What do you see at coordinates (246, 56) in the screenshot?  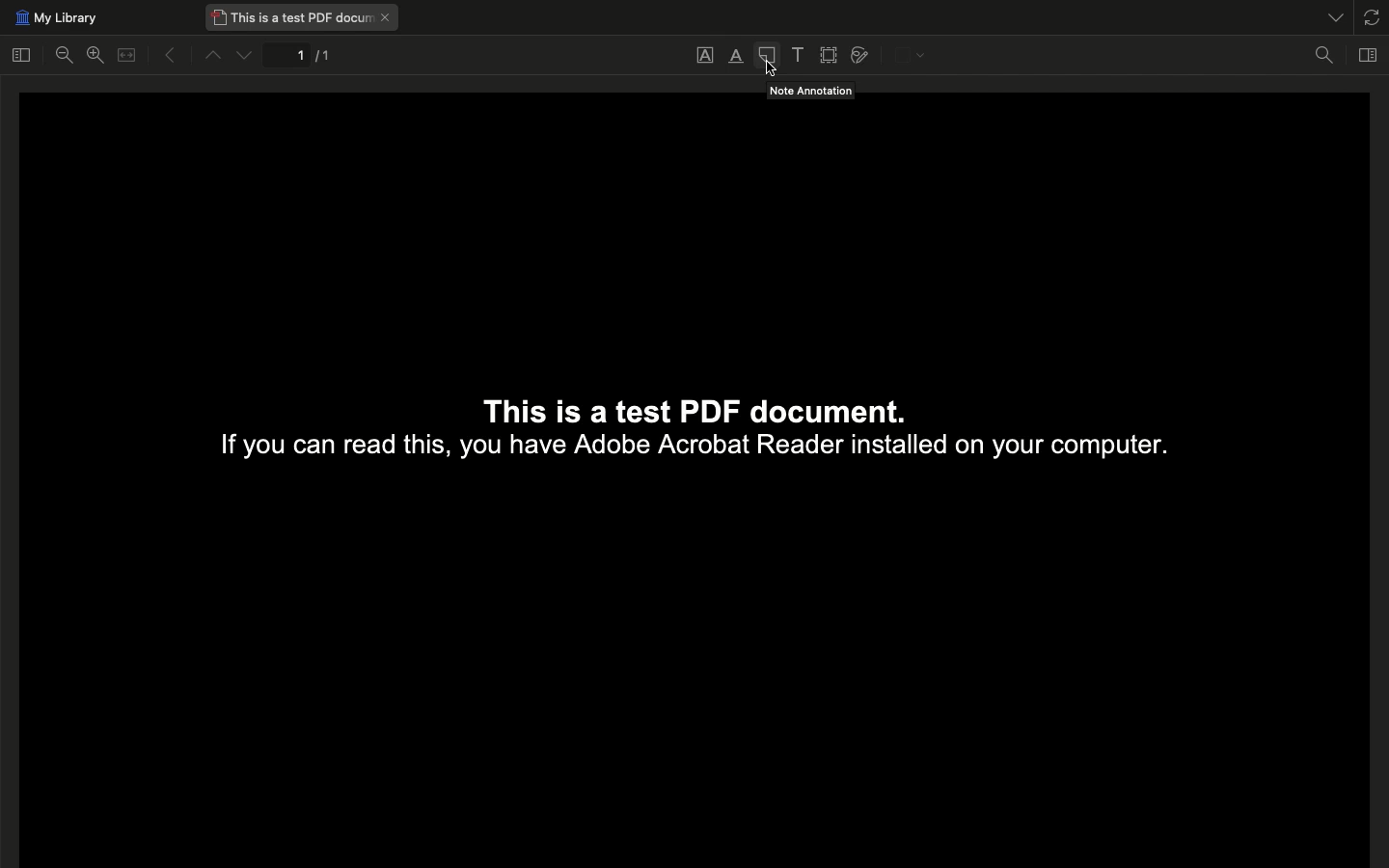 I see `Down` at bounding box center [246, 56].